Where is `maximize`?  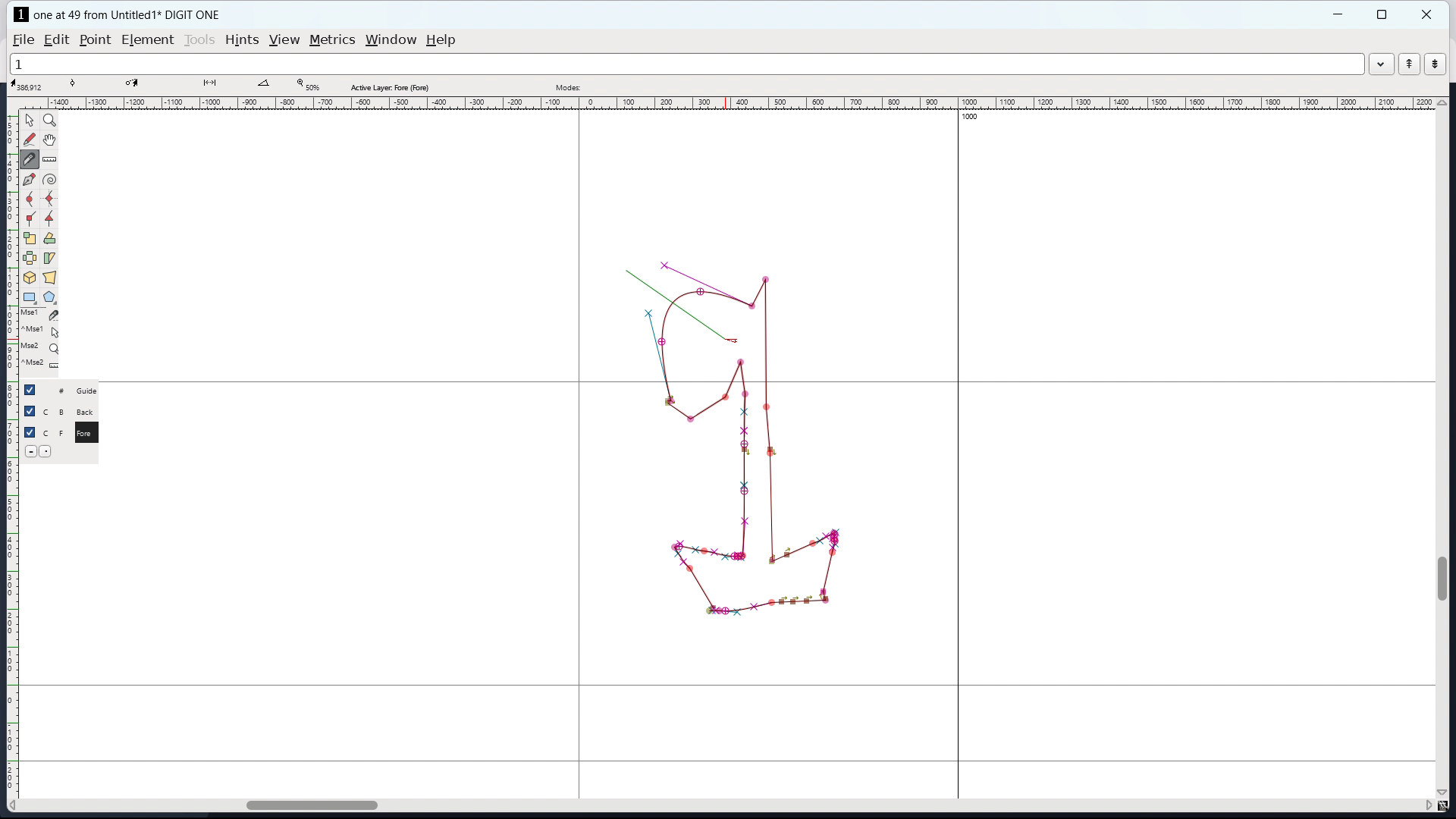 maximize is located at coordinates (1382, 14).